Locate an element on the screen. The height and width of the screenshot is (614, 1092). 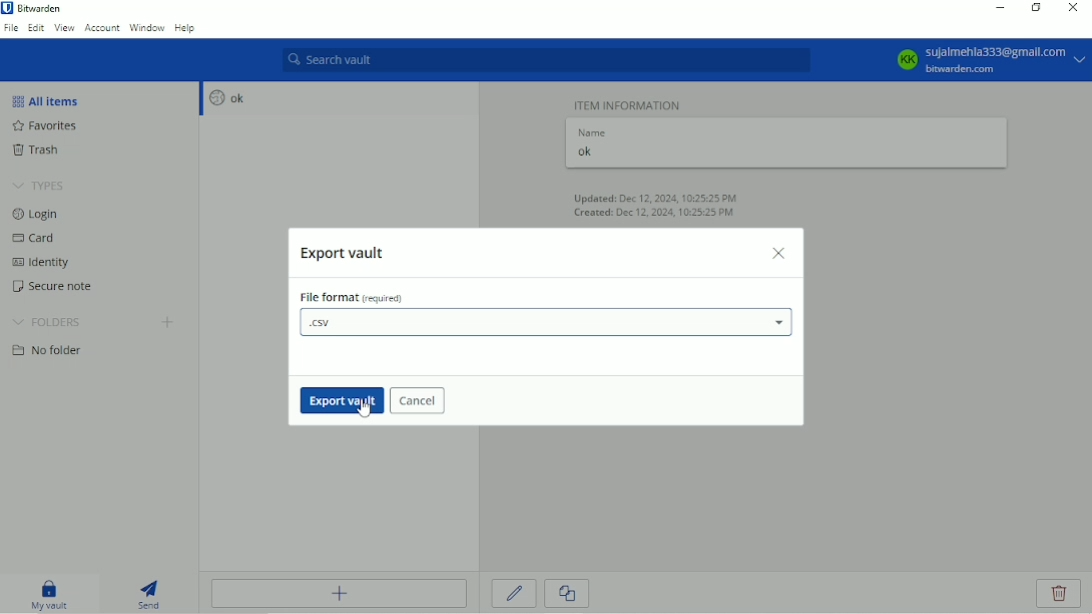
Item information is located at coordinates (629, 103).